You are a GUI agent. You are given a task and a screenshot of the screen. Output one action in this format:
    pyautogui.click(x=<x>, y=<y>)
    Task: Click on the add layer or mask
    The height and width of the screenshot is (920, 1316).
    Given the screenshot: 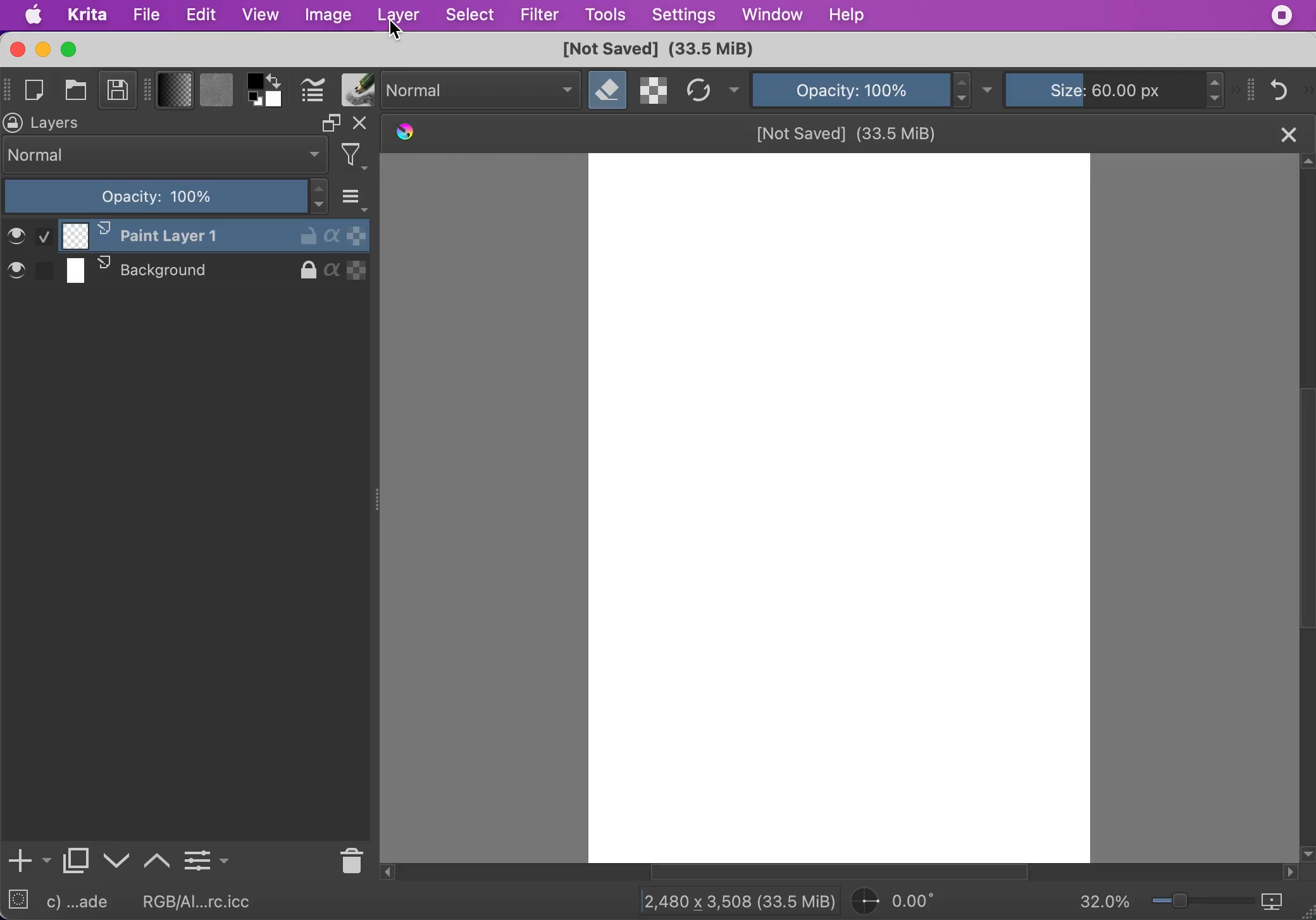 What is the action you would take?
    pyautogui.click(x=28, y=862)
    